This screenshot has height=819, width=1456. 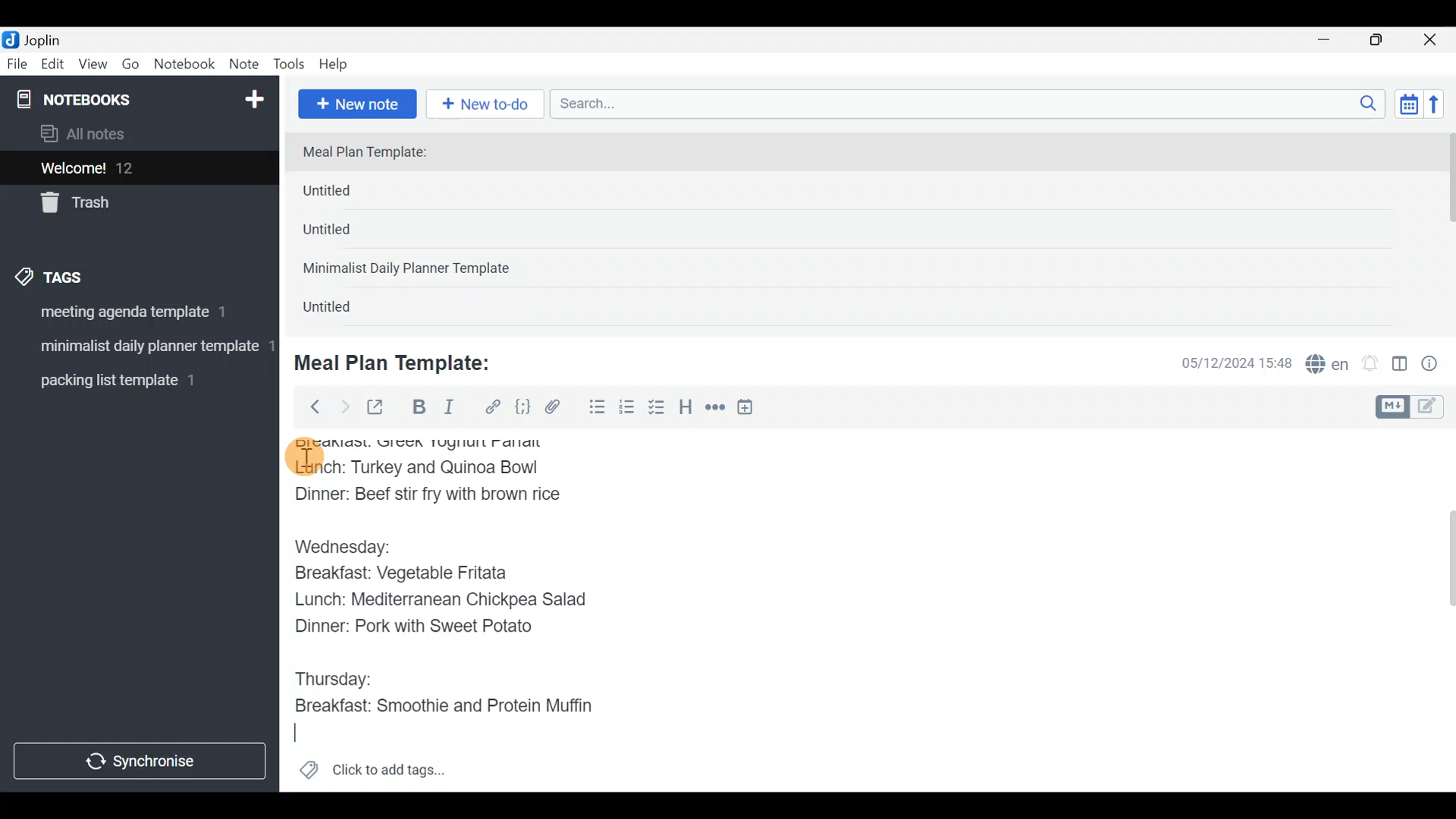 I want to click on Thursday:, so click(x=340, y=676).